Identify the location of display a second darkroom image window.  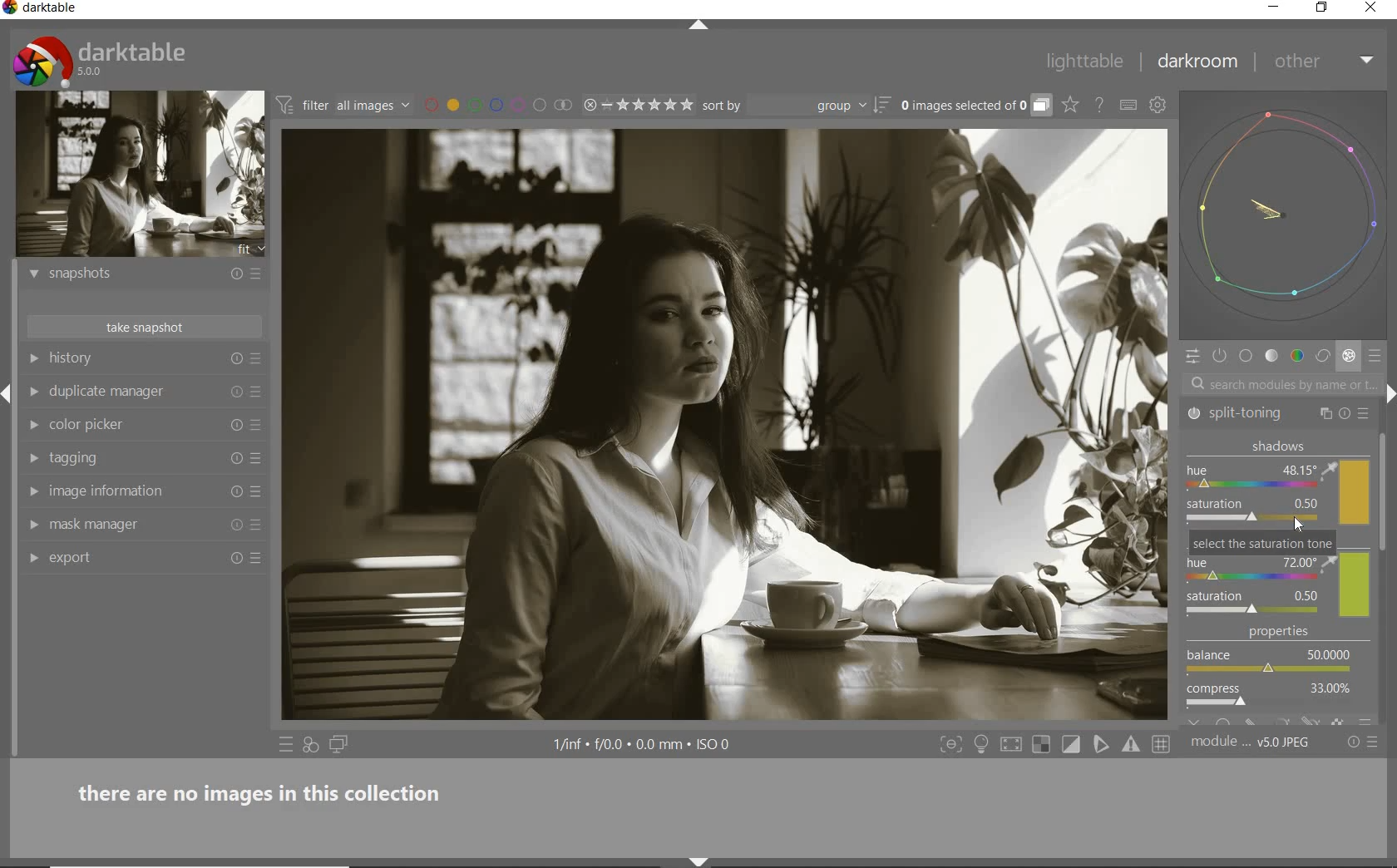
(339, 745).